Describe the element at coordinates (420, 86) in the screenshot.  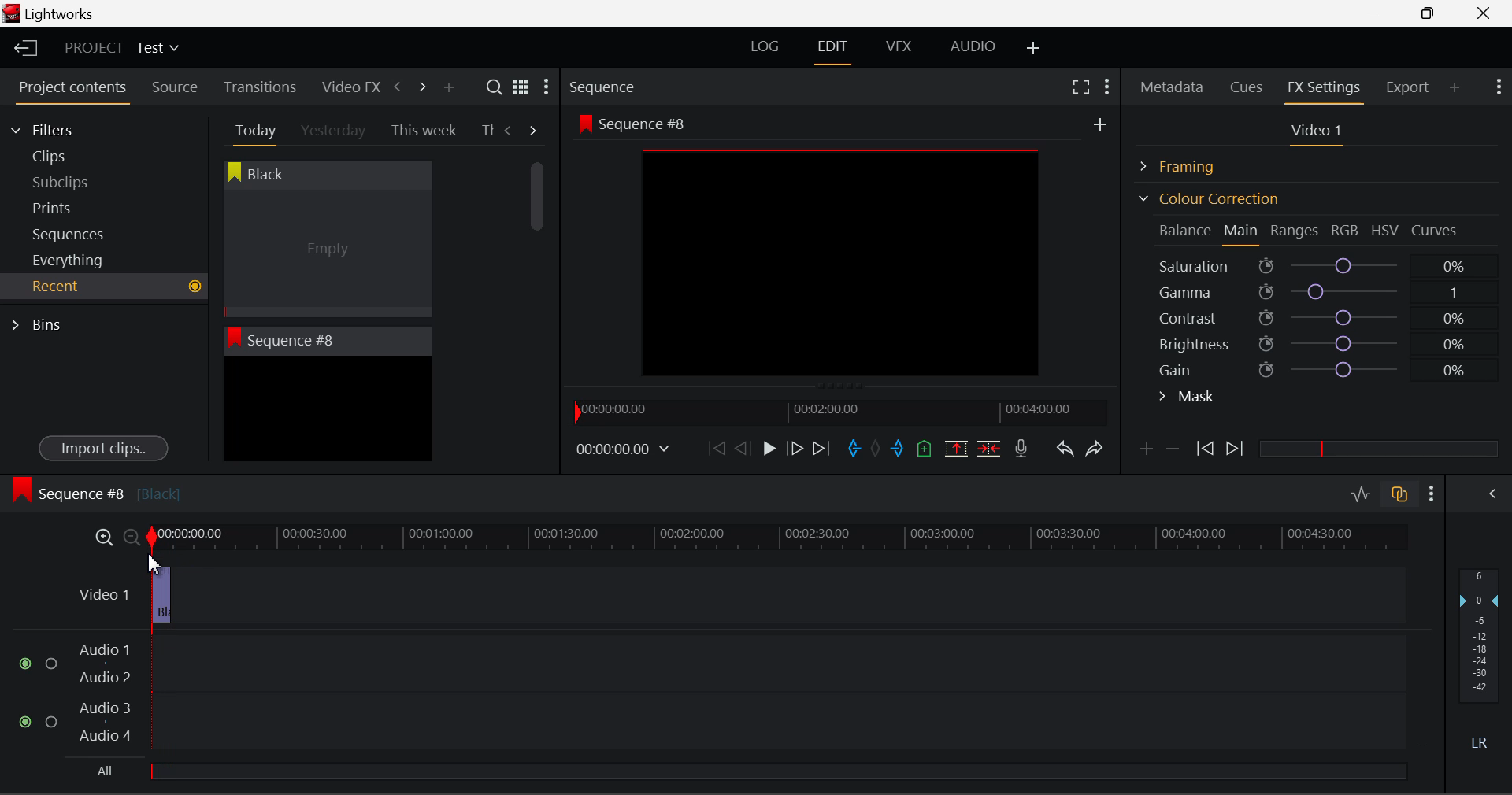
I see `Next Panel` at that location.